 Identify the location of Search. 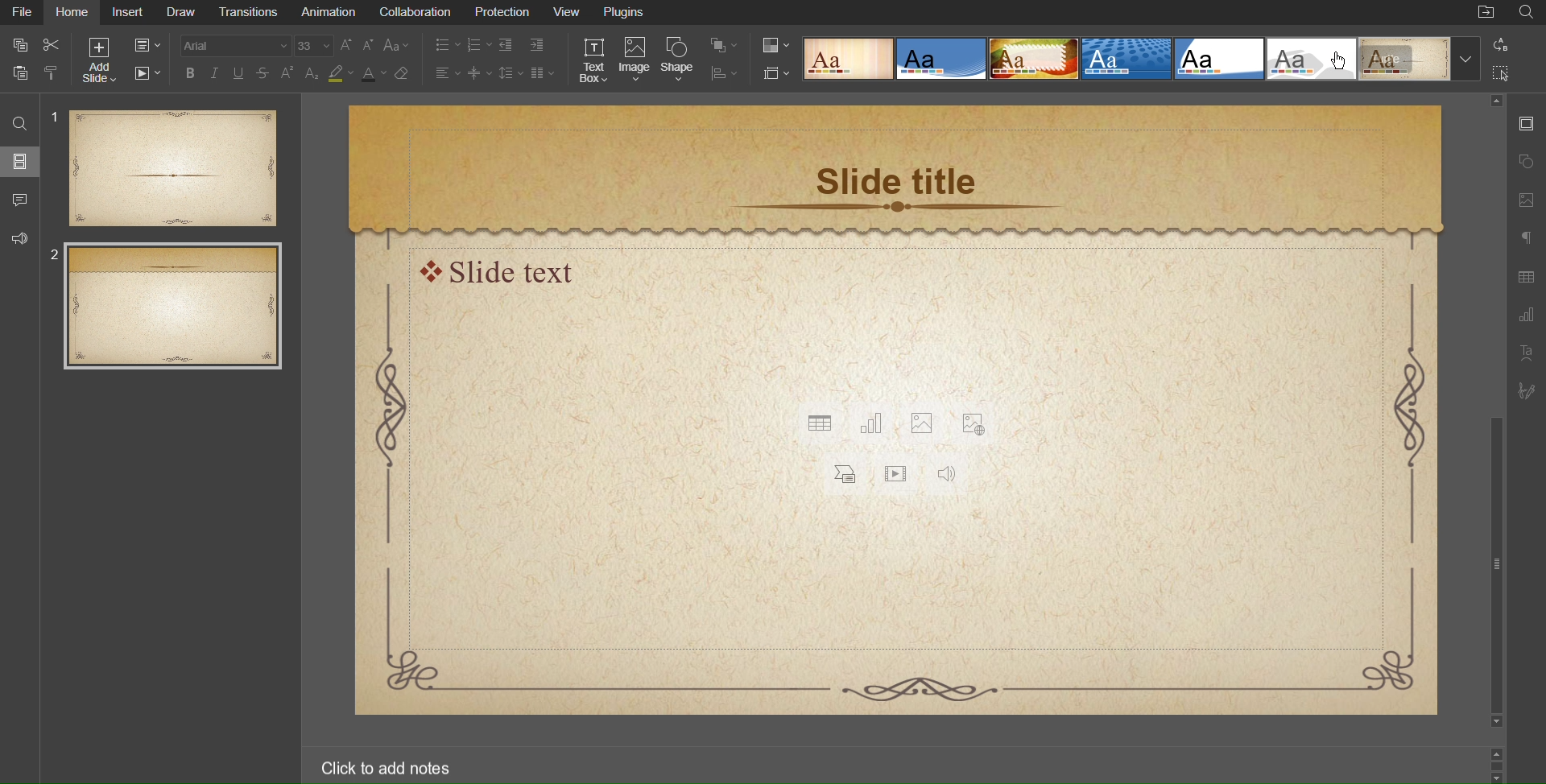
(18, 122).